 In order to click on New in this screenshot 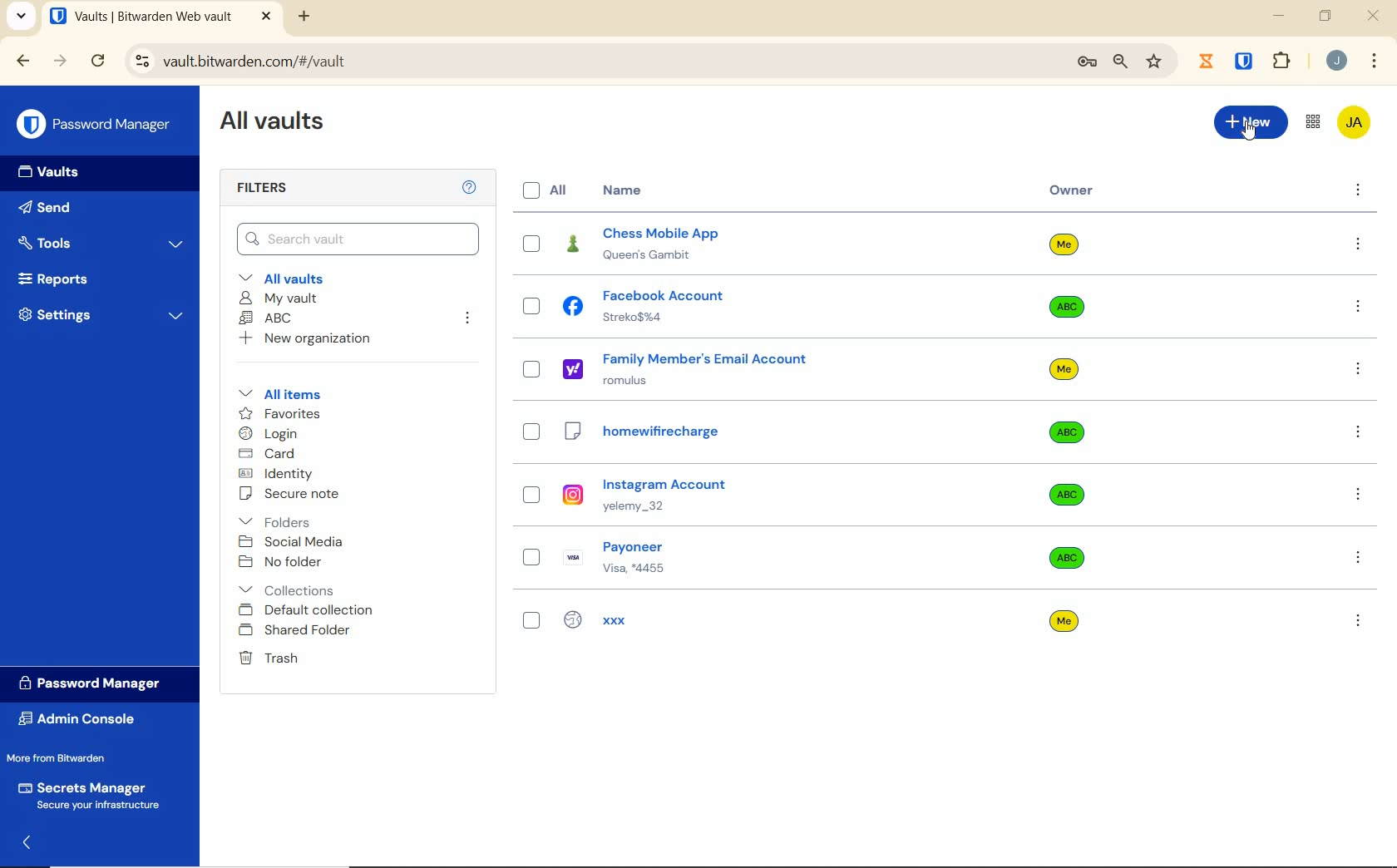, I will do `click(1250, 122)`.